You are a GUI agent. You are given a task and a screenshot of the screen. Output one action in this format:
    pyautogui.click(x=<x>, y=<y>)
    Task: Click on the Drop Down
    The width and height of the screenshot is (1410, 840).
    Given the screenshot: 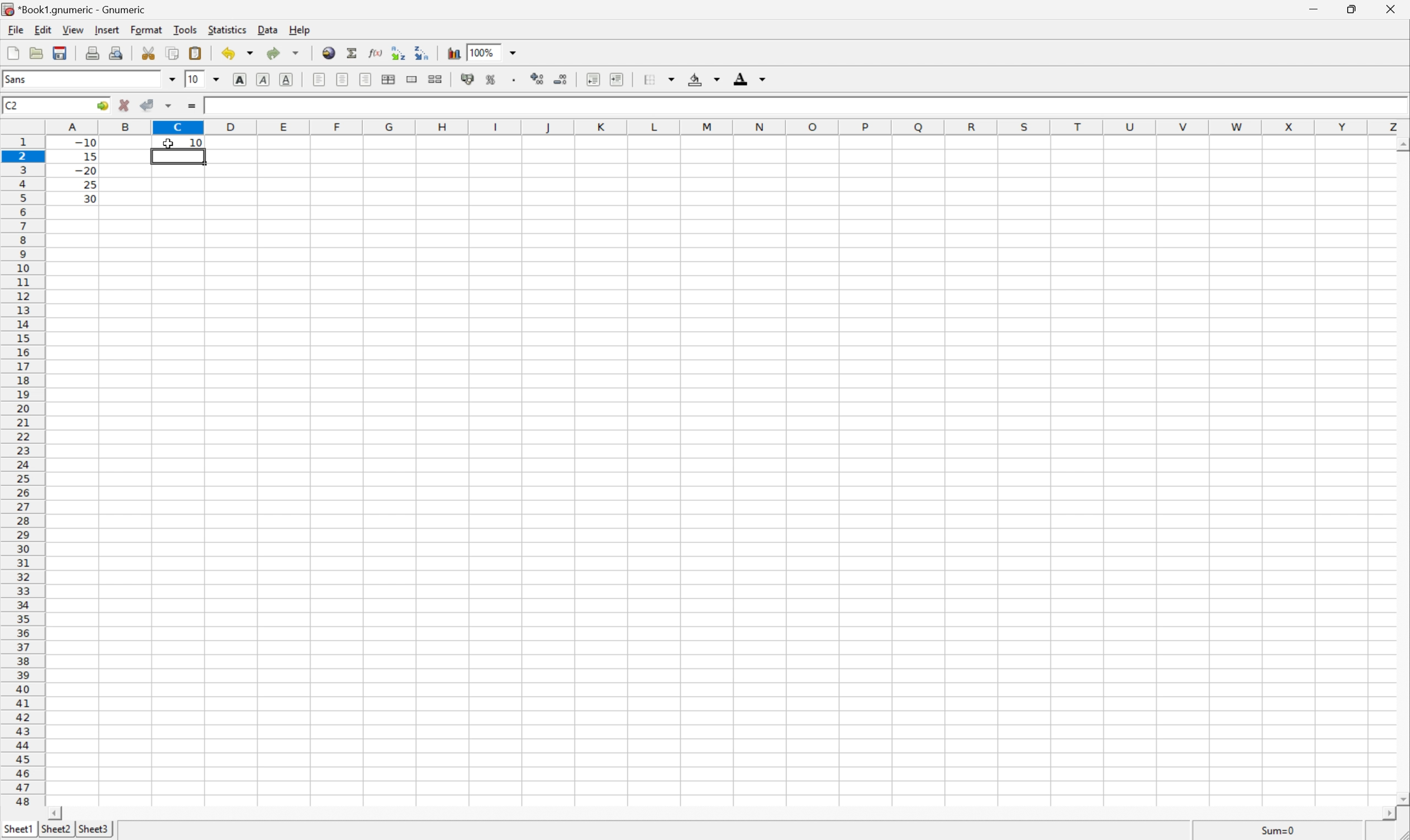 What is the action you would take?
    pyautogui.click(x=674, y=77)
    